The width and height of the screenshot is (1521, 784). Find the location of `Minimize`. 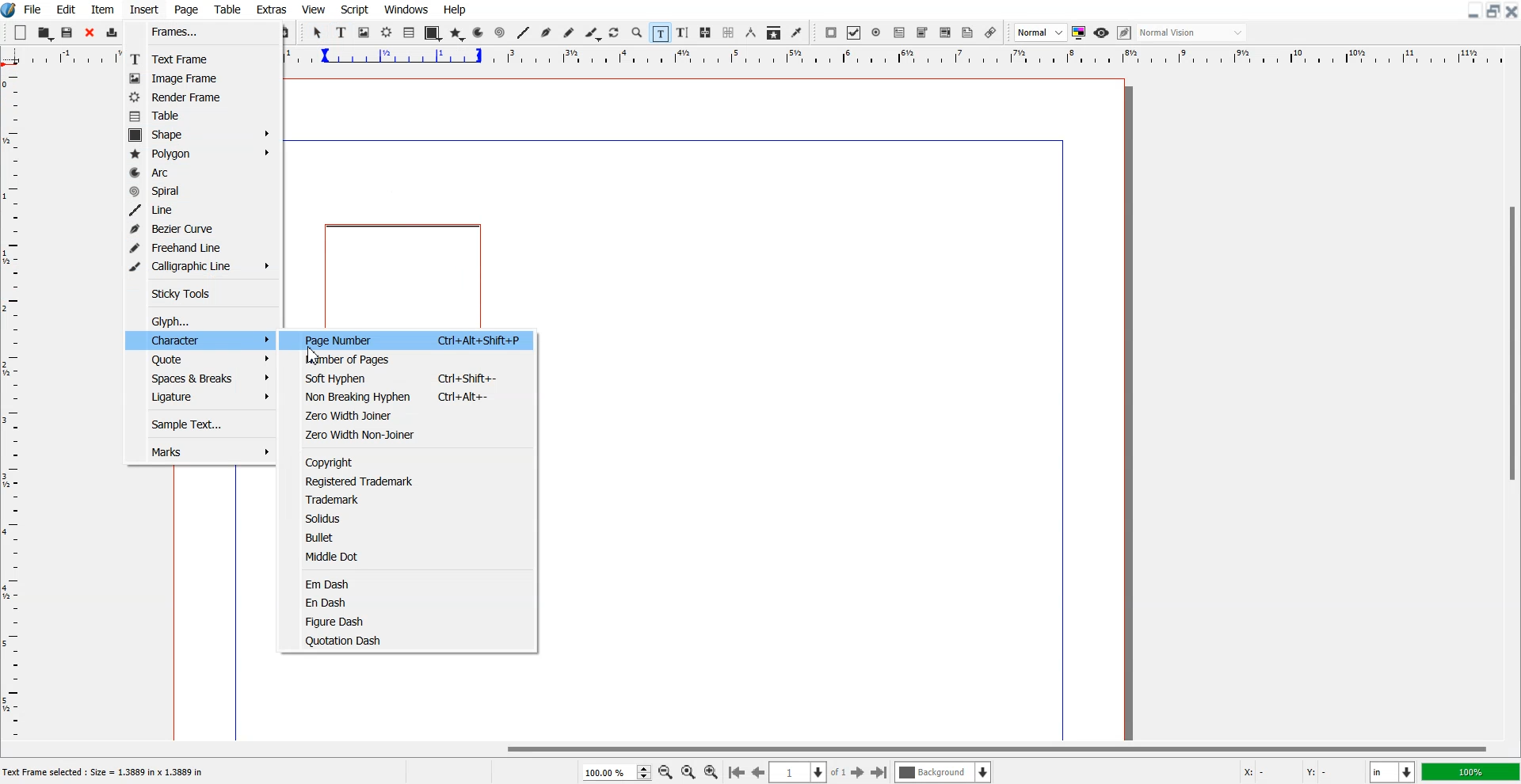

Minimize is located at coordinates (1474, 10).